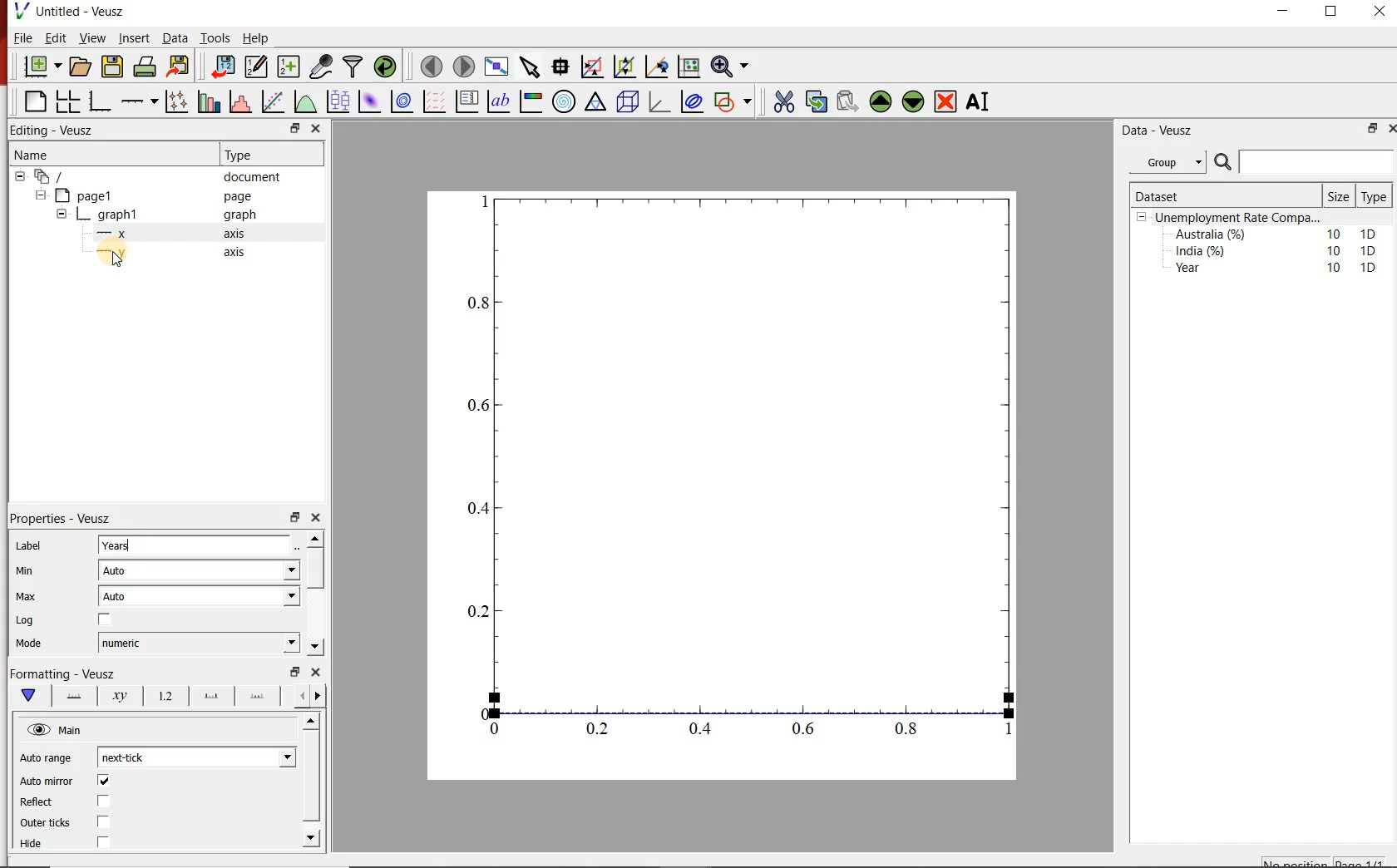 This screenshot has height=868, width=1397. Describe the element at coordinates (46, 823) in the screenshot. I see `Outer ticks` at that location.